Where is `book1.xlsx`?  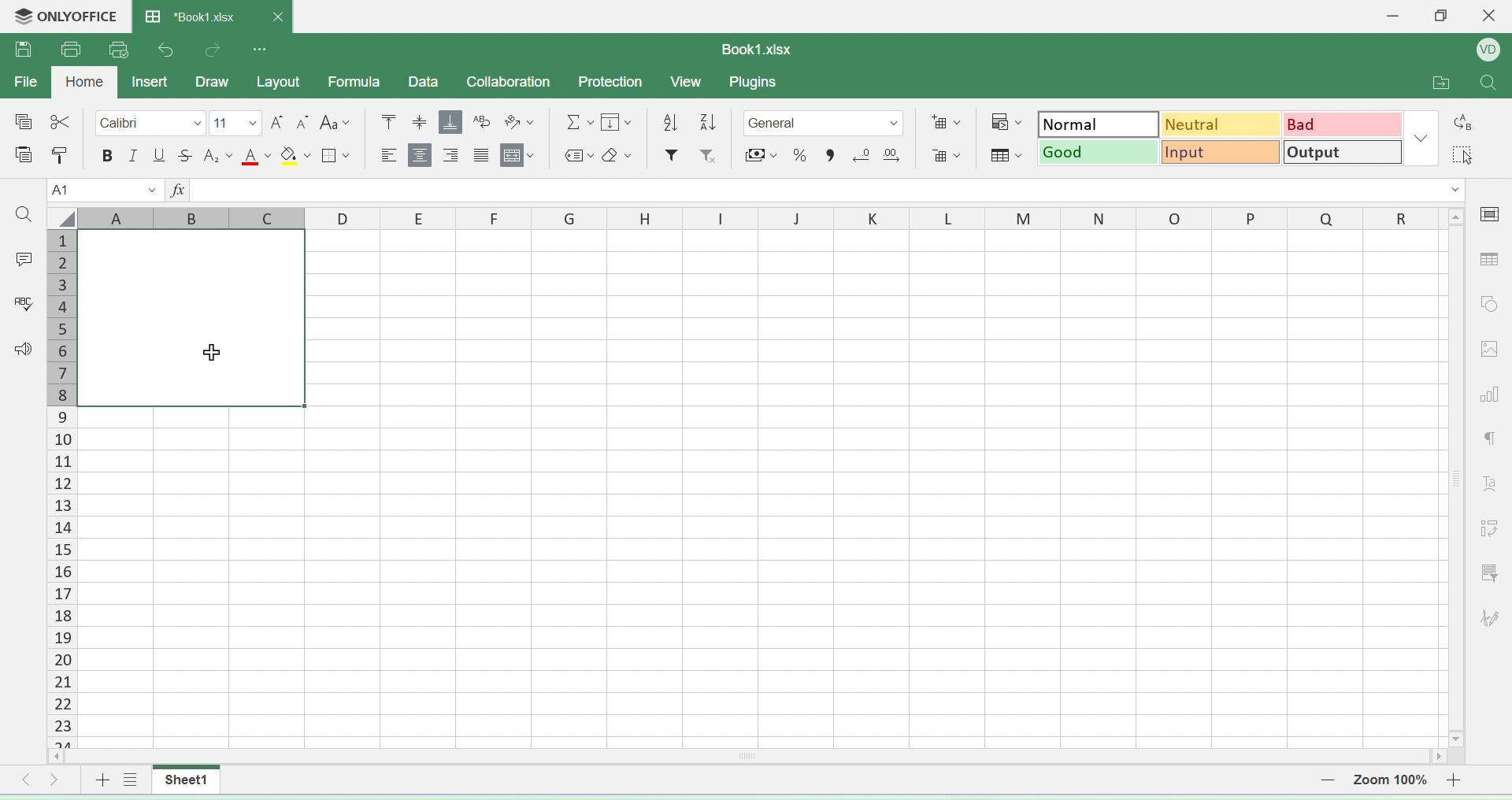
book1.xlsx is located at coordinates (216, 14).